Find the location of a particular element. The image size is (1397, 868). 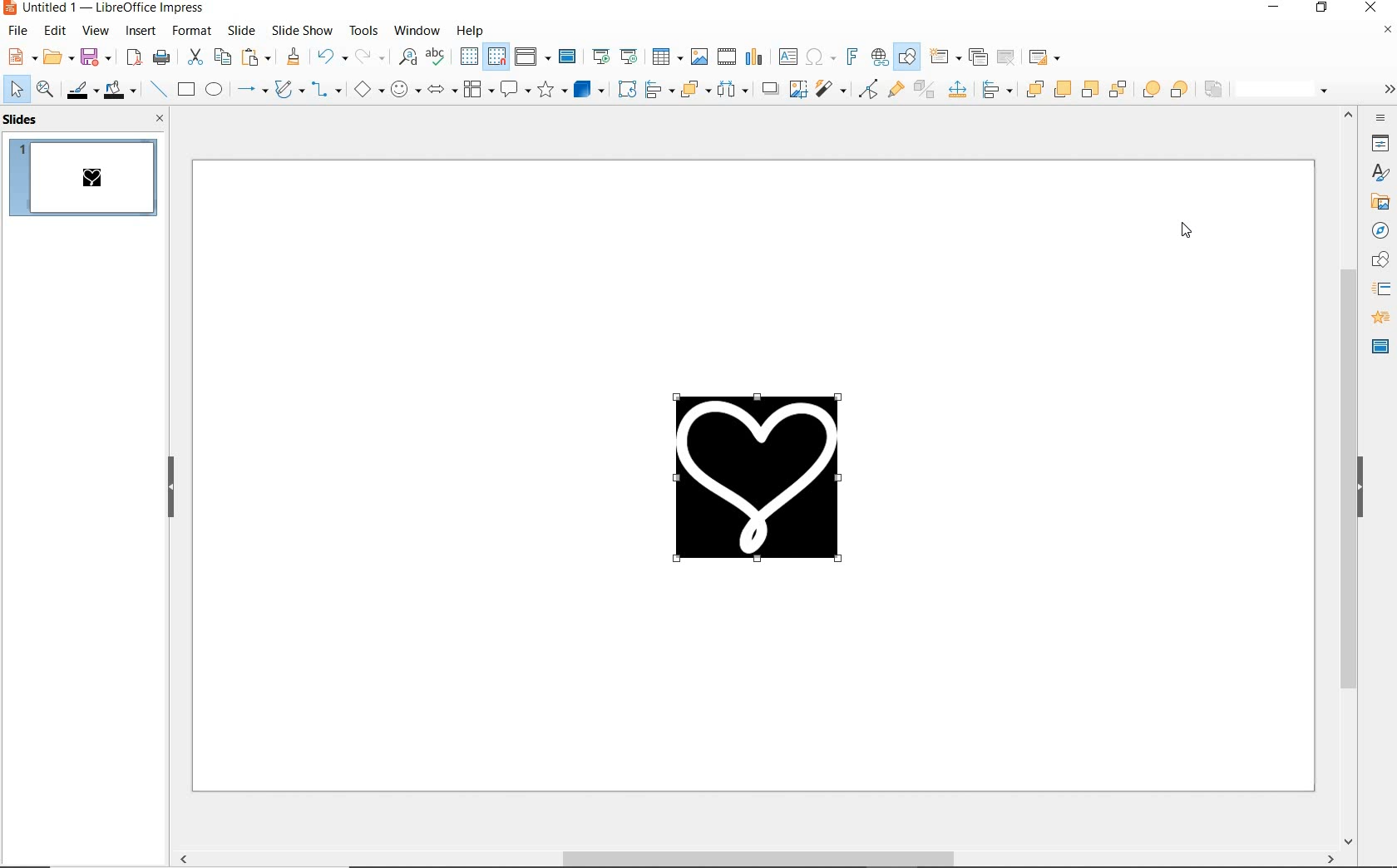

lines and arrows is located at coordinates (253, 90).